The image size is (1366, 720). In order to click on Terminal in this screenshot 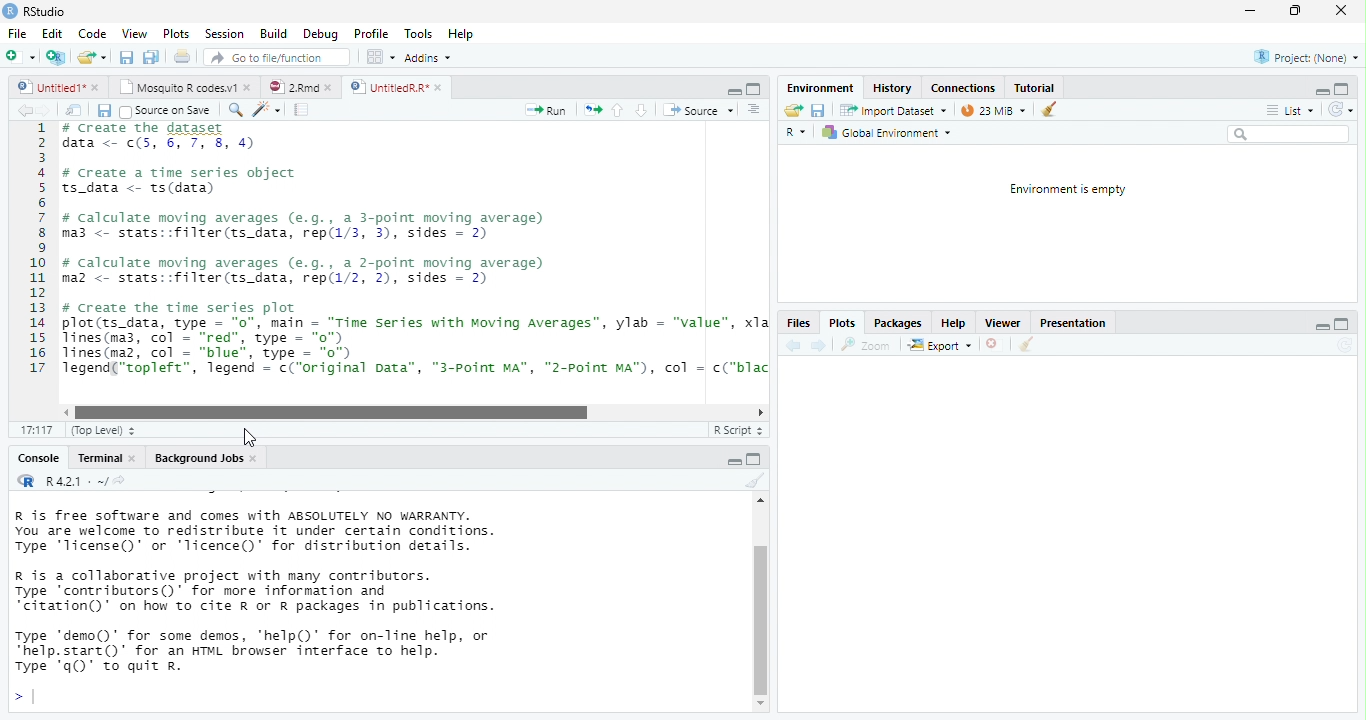, I will do `click(99, 458)`.